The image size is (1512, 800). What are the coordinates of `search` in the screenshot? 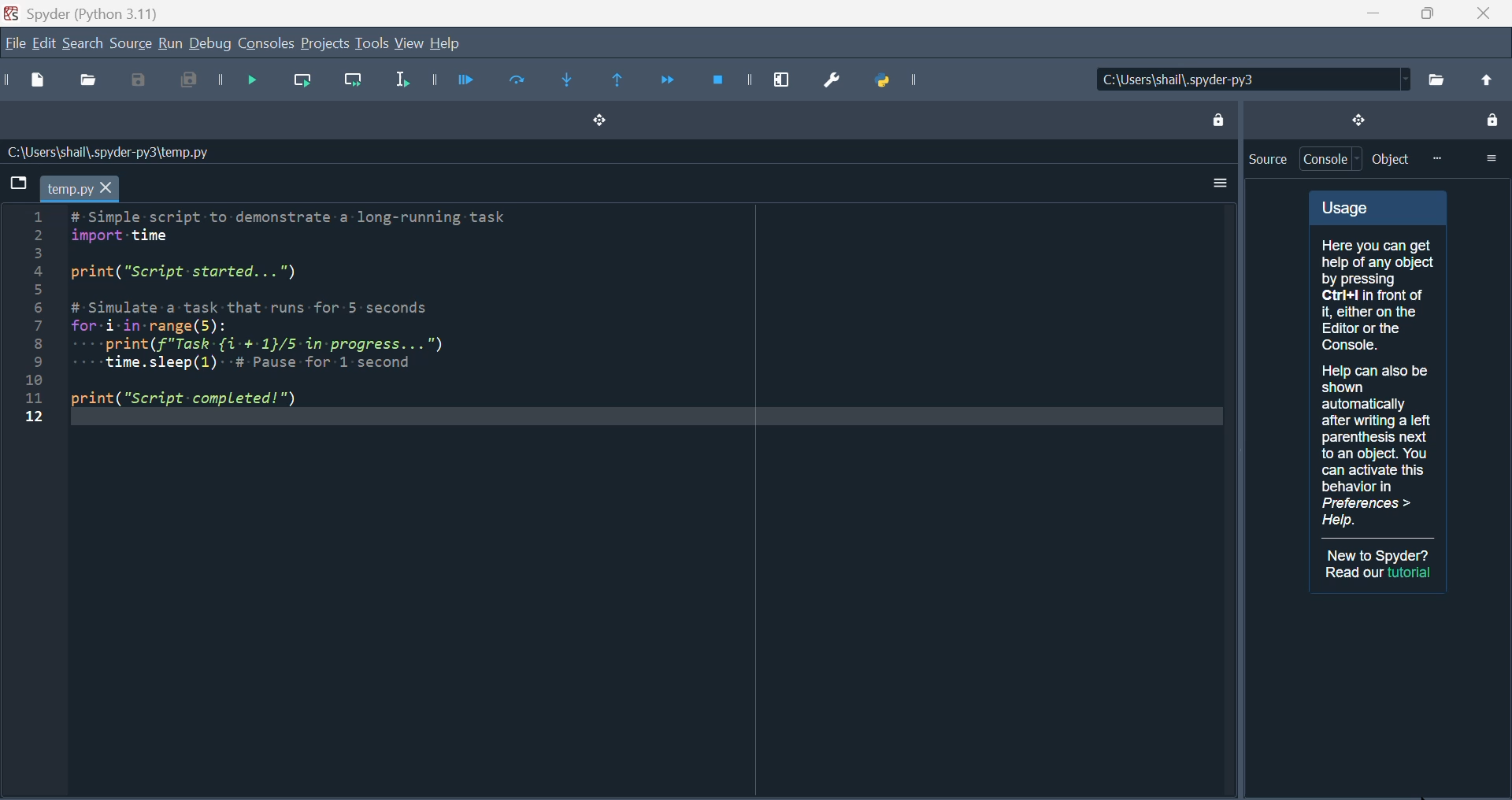 It's located at (83, 43).